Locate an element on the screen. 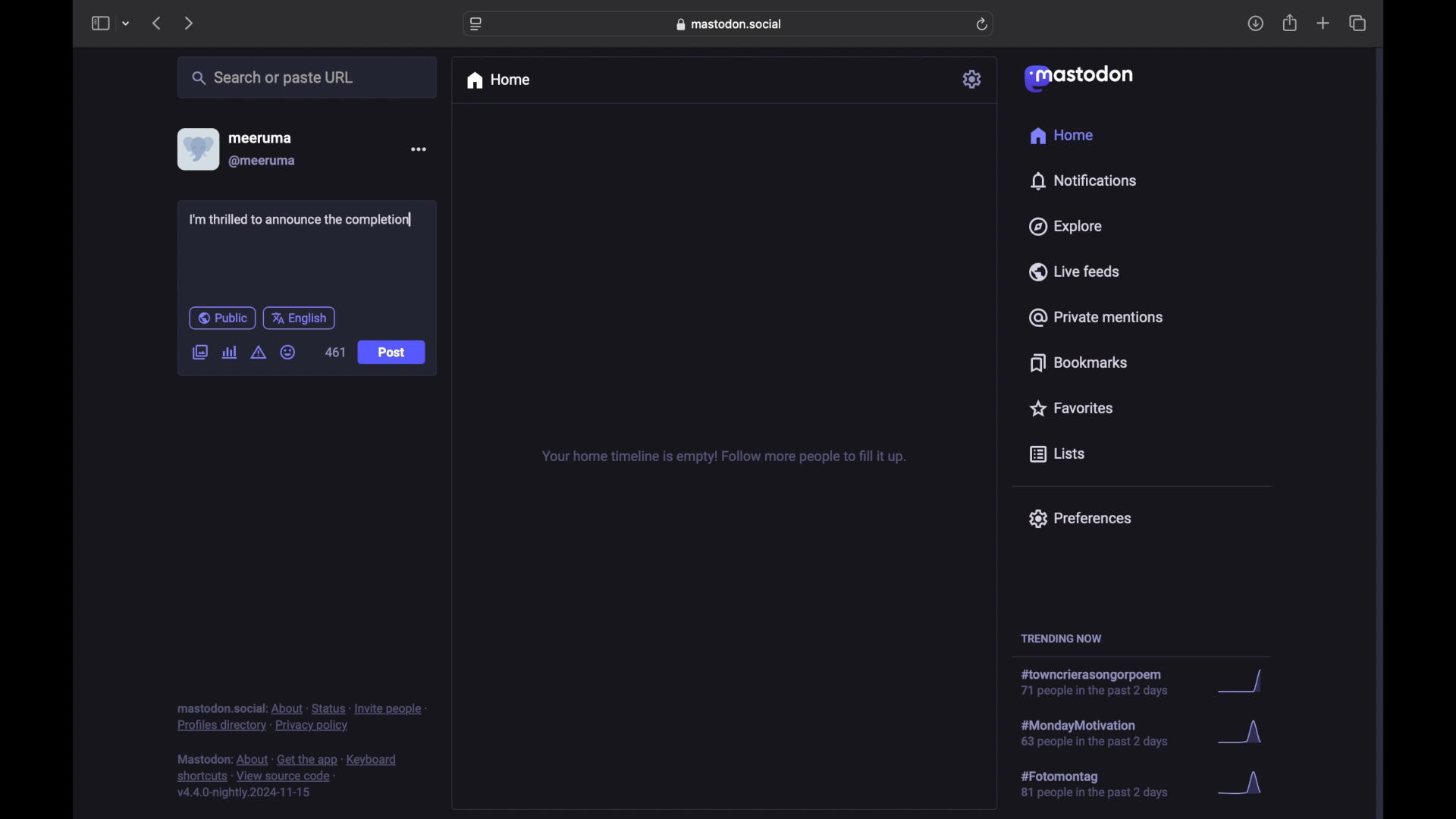 The image size is (1456, 819). side bar is located at coordinates (99, 23).